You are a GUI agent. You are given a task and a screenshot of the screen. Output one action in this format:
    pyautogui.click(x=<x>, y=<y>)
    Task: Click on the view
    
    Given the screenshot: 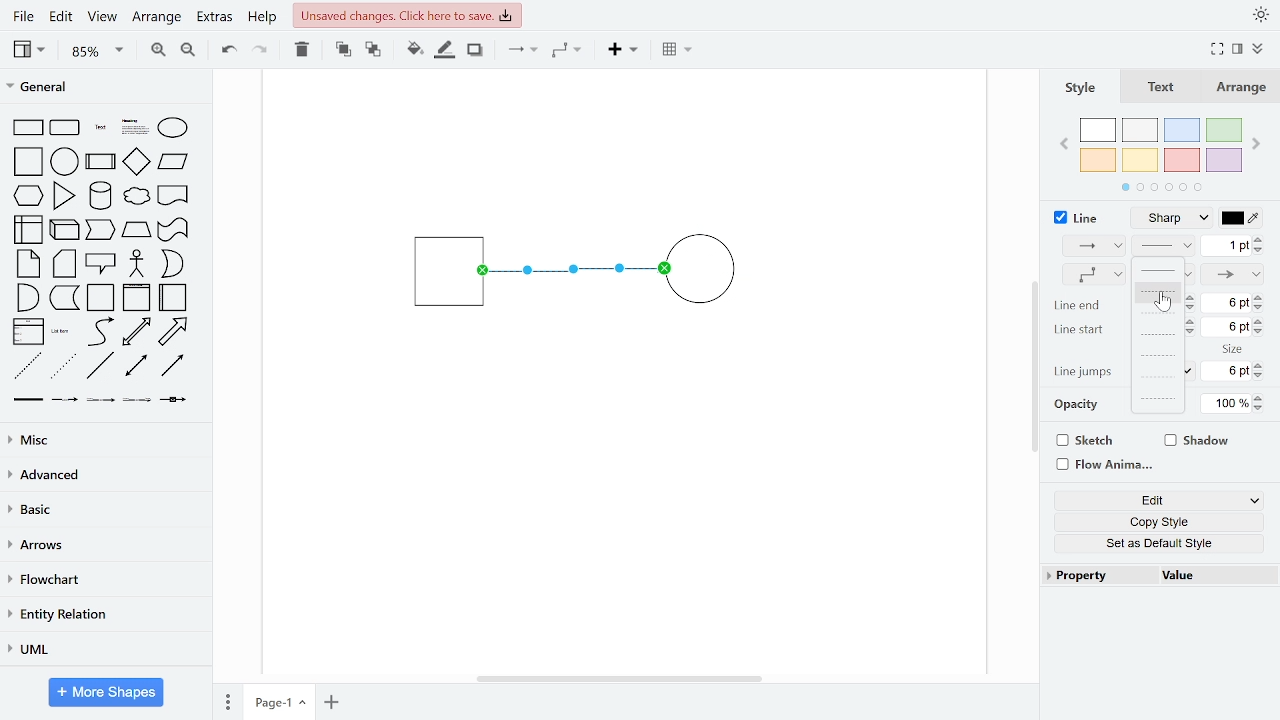 What is the action you would take?
    pyautogui.click(x=32, y=49)
    